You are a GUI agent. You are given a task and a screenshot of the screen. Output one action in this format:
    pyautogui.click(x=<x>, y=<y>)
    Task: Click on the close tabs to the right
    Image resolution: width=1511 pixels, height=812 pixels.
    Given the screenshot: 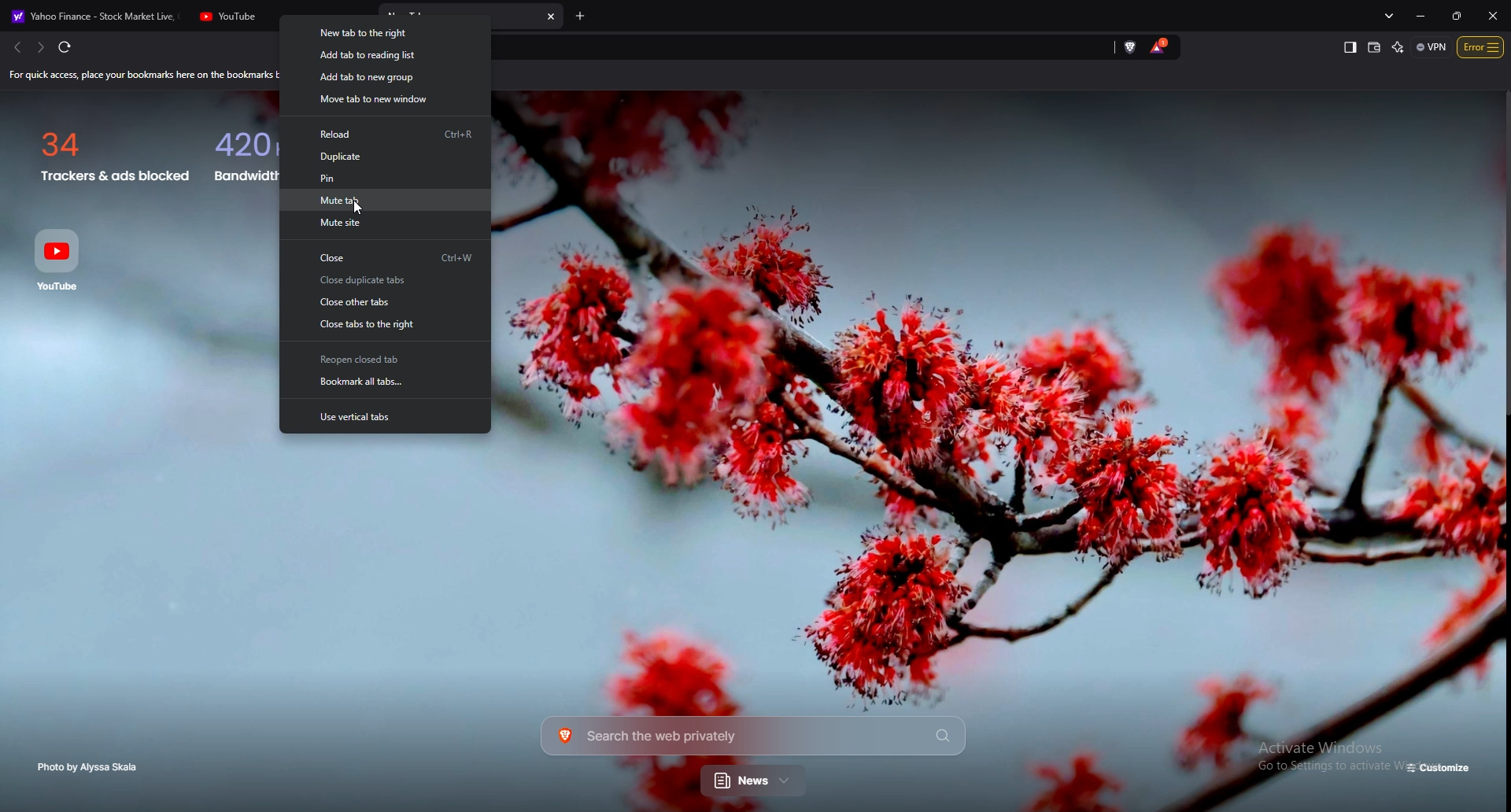 What is the action you would take?
    pyautogui.click(x=385, y=325)
    